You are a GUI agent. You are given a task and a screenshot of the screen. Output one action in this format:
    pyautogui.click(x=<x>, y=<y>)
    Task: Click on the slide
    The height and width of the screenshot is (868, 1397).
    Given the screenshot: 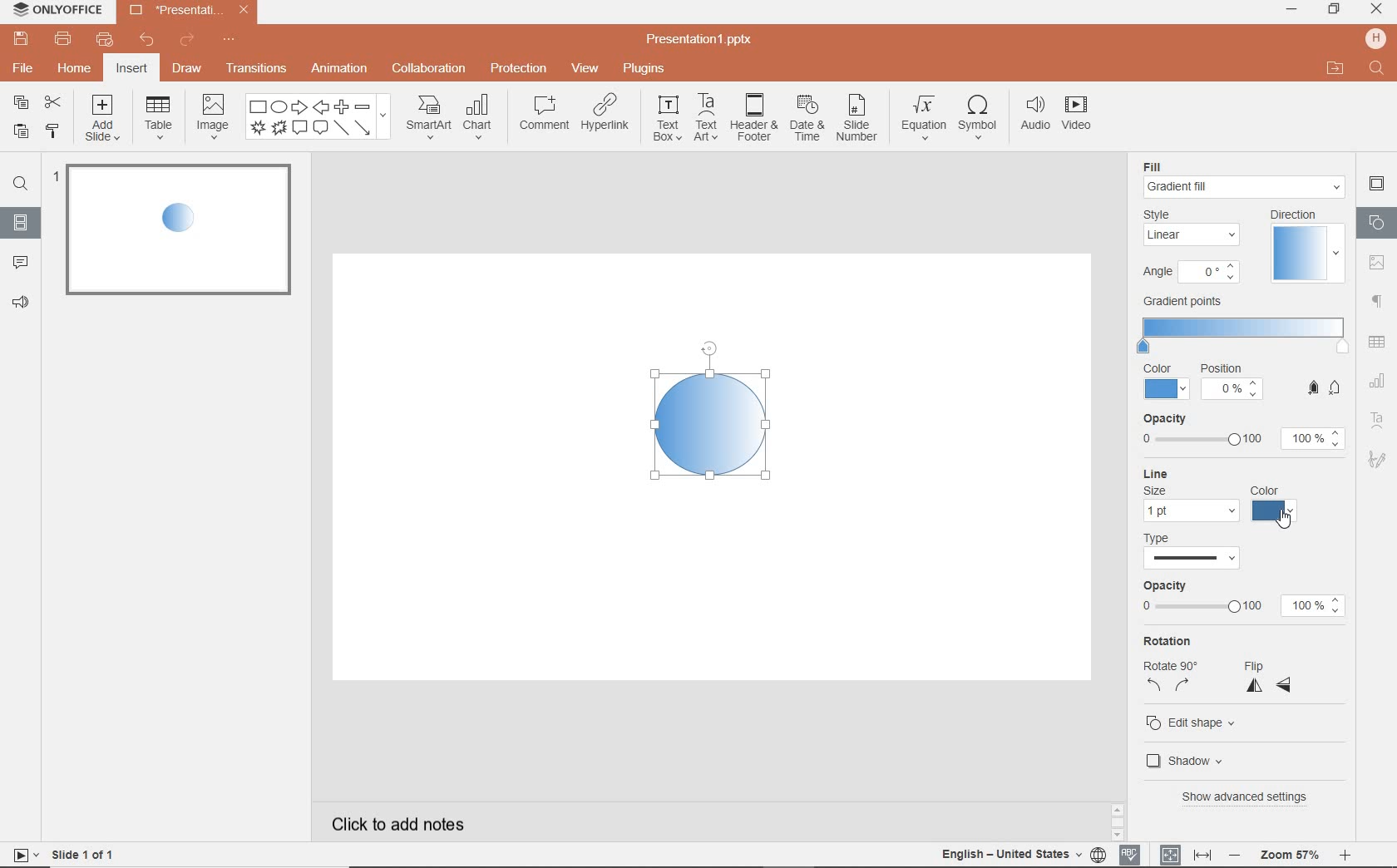 What is the action you would take?
    pyautogui.click(x=96, y=231)
    